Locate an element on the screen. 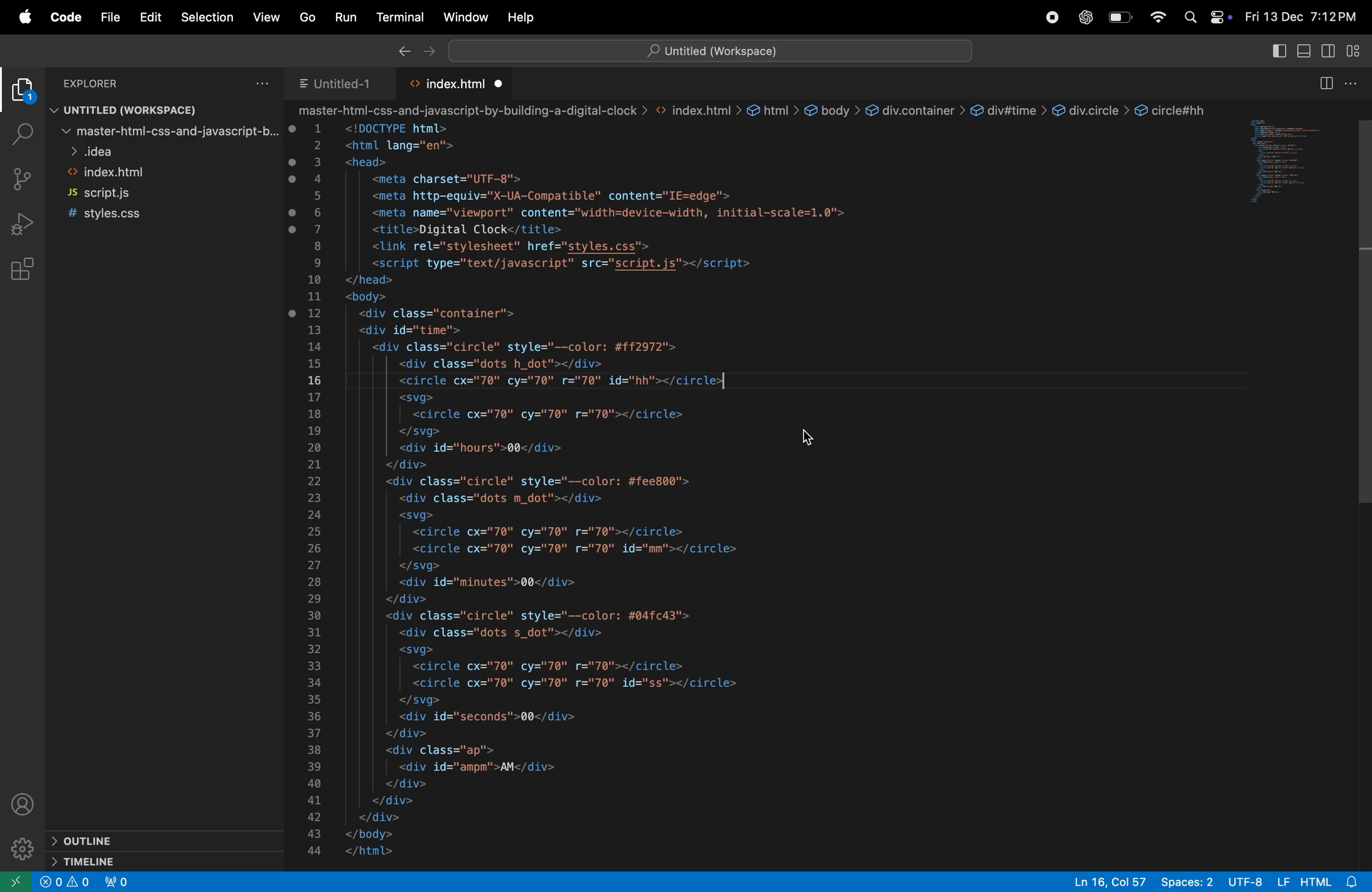 This screenshot has height=892, width=1372. view is located at coordinates (269, 17).